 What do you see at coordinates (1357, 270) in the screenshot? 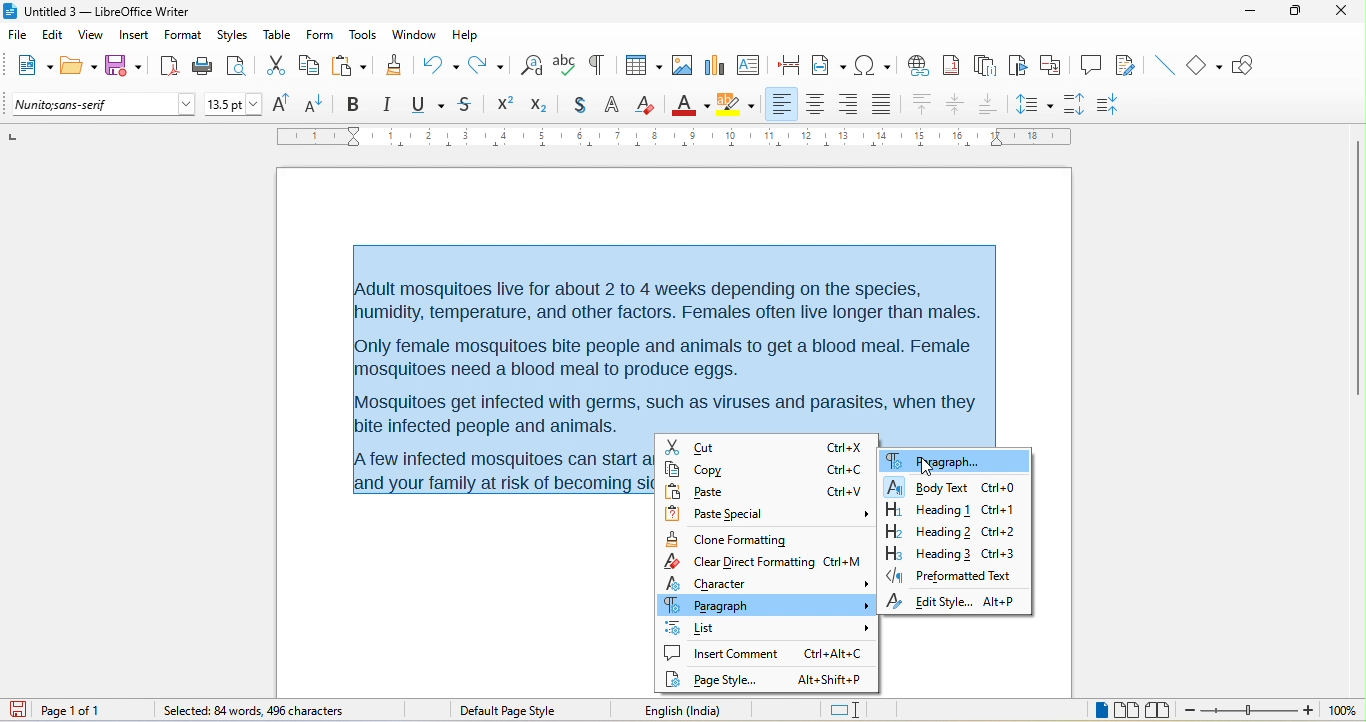
I see `vertical scroll bar` at bounding box center [1357, 270].